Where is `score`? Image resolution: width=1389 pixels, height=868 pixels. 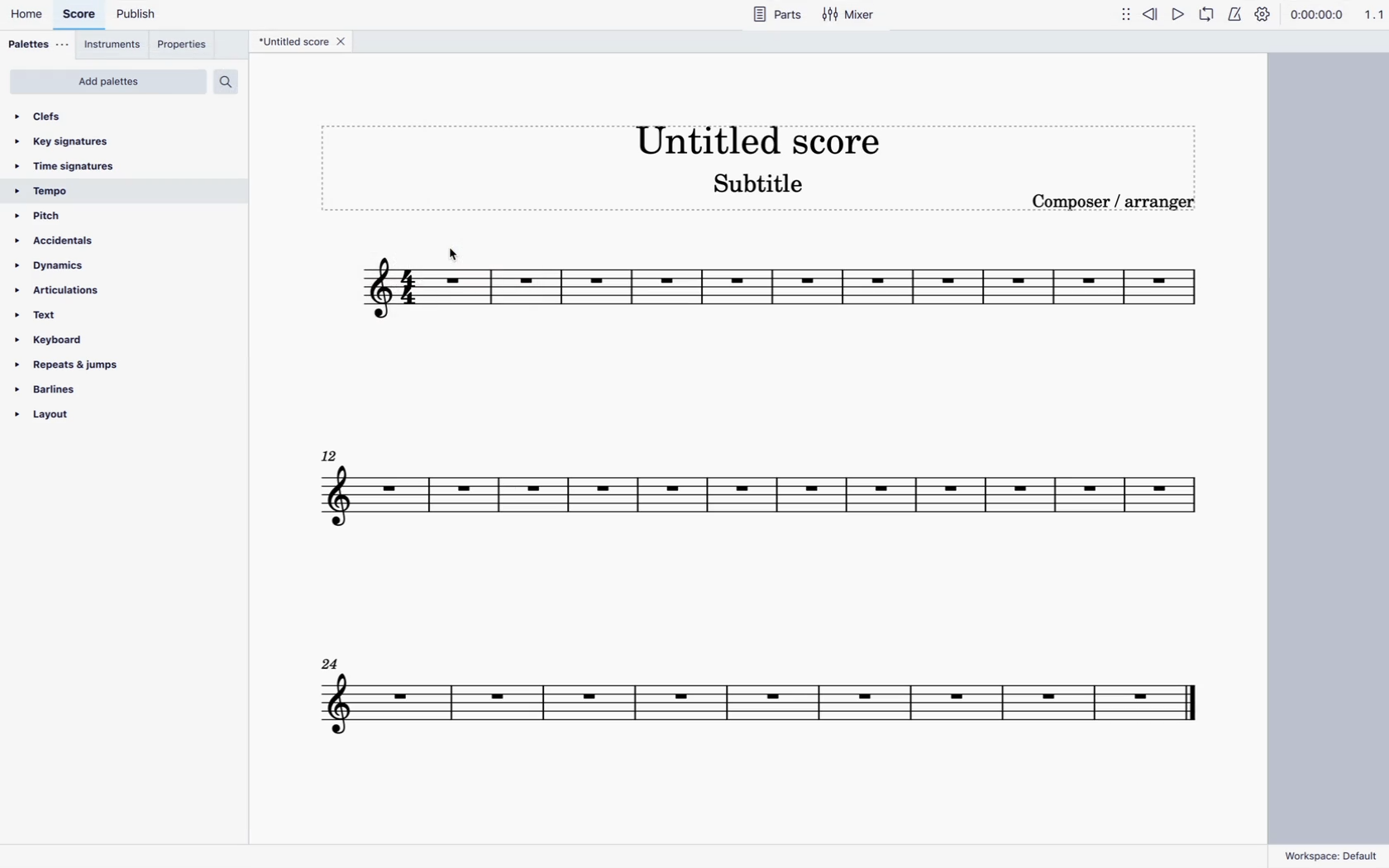
score is located at coordinates (757, 503).